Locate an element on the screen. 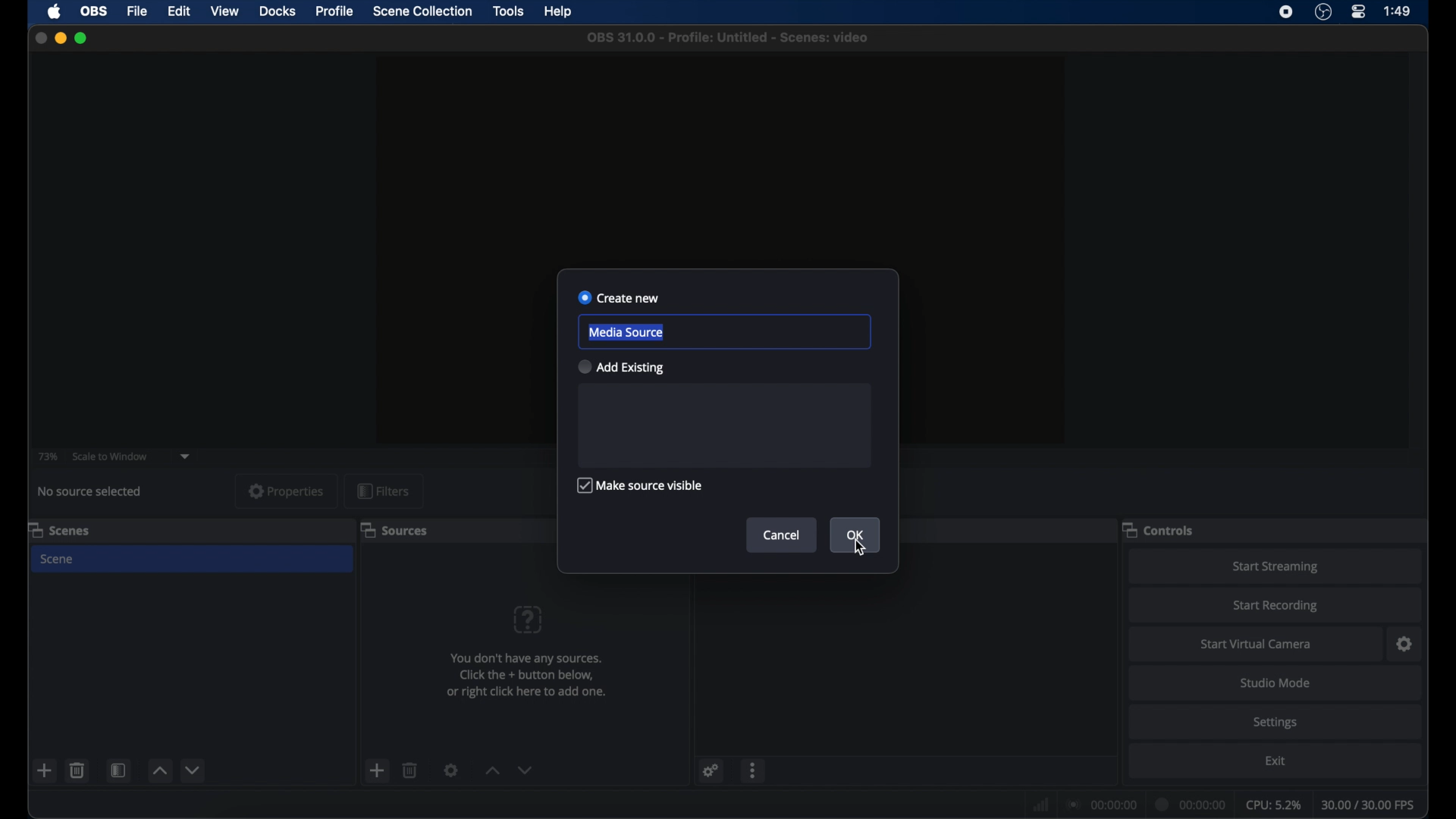 The image size is (1456, 819). Sources is located at coordinates (394, 531).